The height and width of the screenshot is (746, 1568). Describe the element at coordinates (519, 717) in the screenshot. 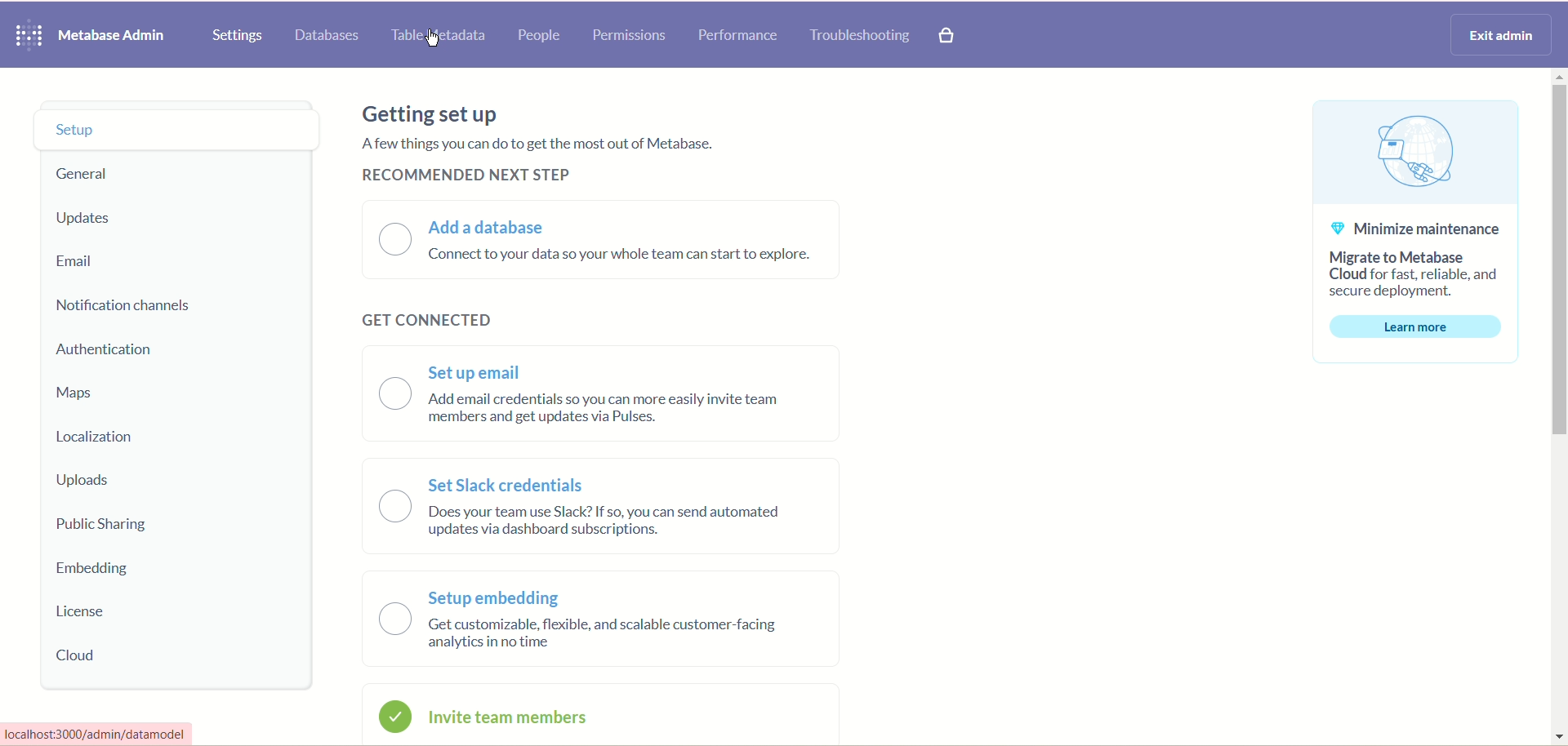

I see `invite team member` at that location.